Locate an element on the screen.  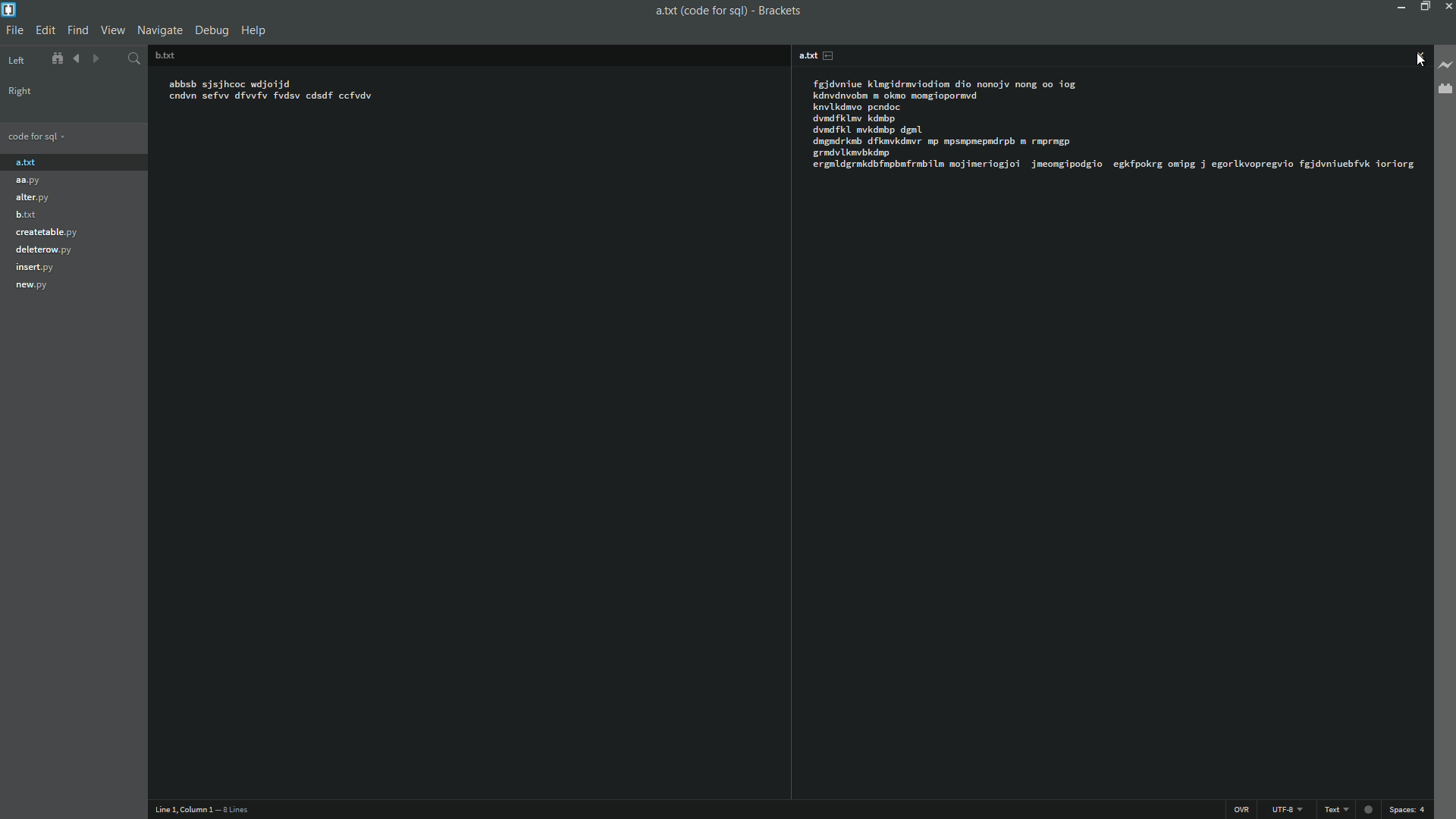
aa.py is located at coordinates (36, 181).